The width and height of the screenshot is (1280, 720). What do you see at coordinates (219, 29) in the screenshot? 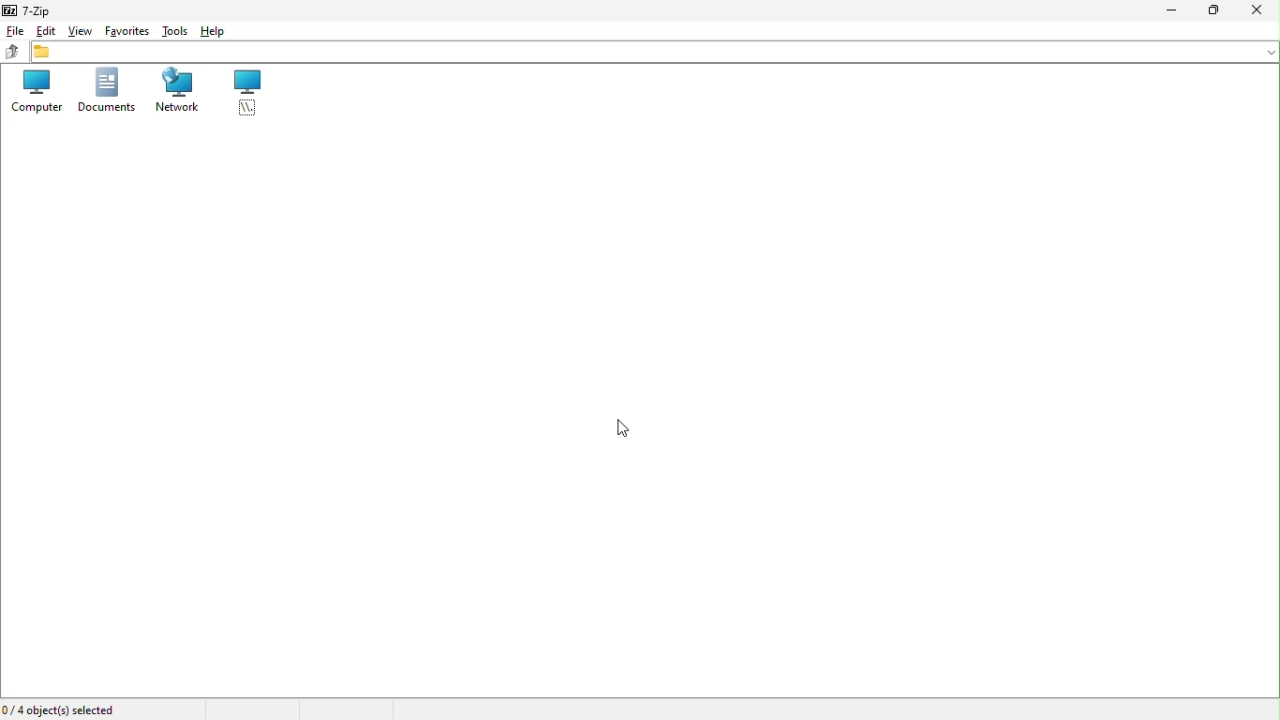
I see `help` at bounding box center [219, 29].